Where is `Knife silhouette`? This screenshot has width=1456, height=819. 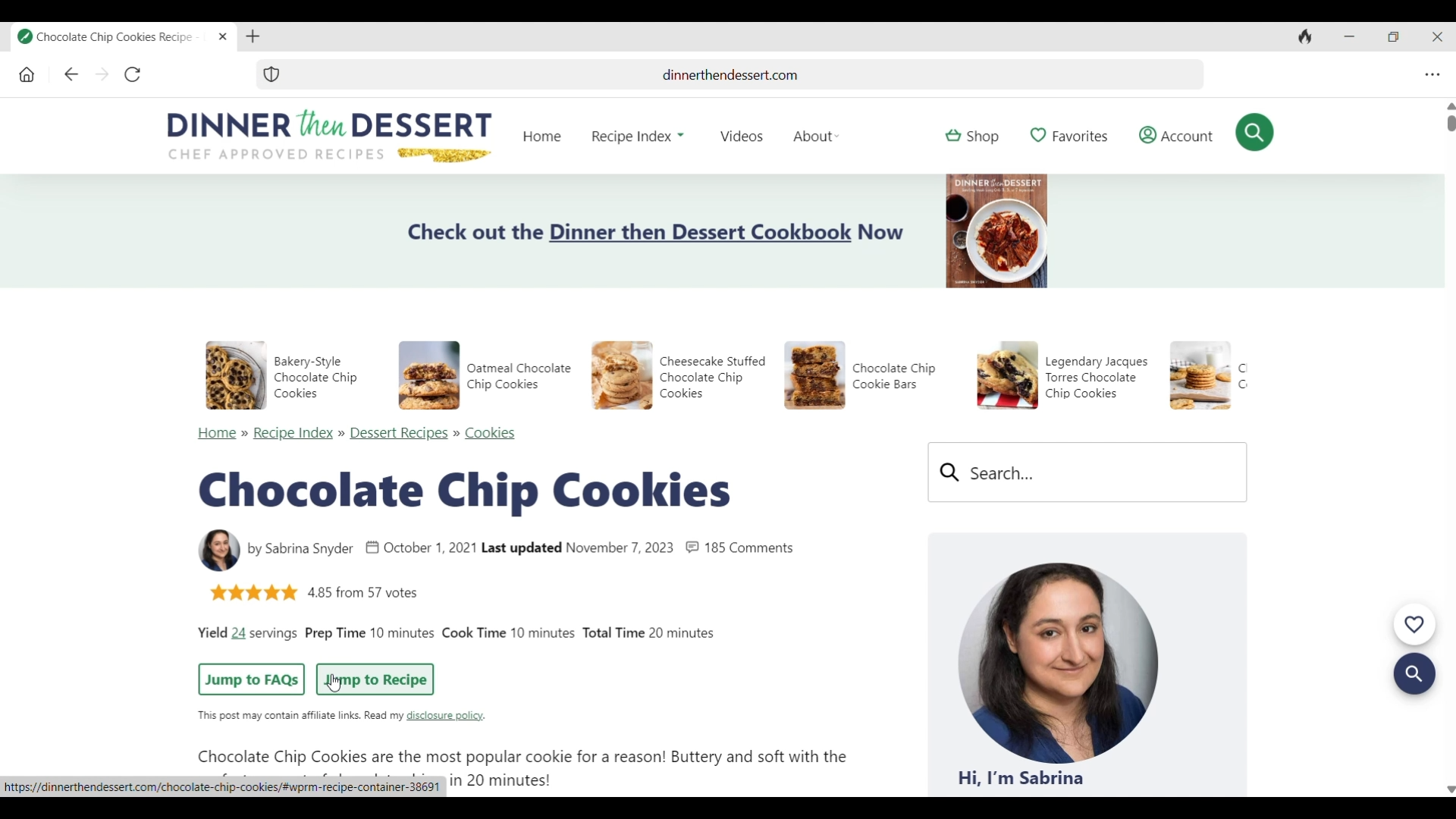 Knife silhouette is located at coordinates (445, 155).